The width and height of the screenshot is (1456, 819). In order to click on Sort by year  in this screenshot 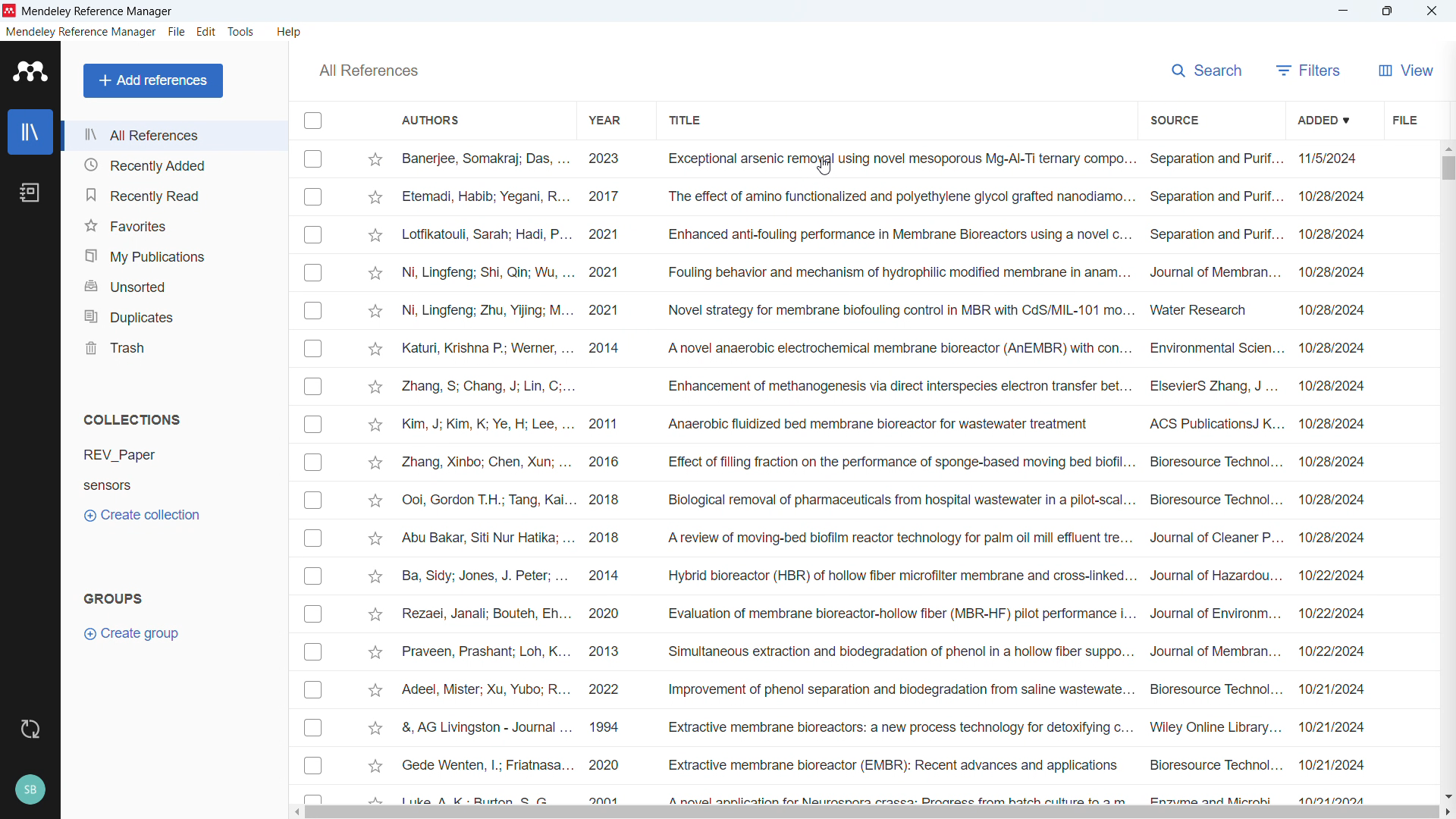, I will do `click(605, 121)`.